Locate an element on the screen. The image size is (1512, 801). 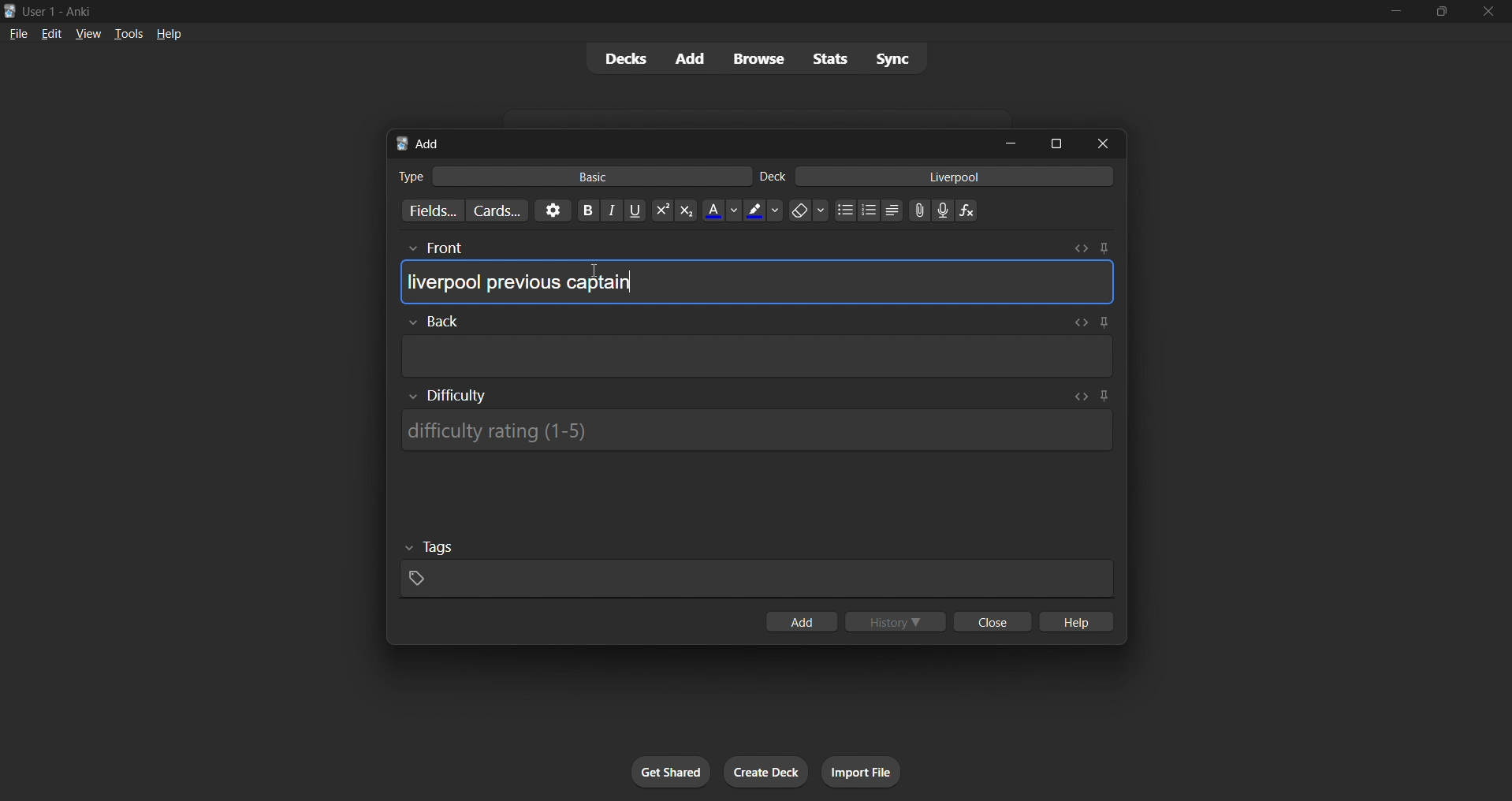
history is located at coordinates (898, 623).